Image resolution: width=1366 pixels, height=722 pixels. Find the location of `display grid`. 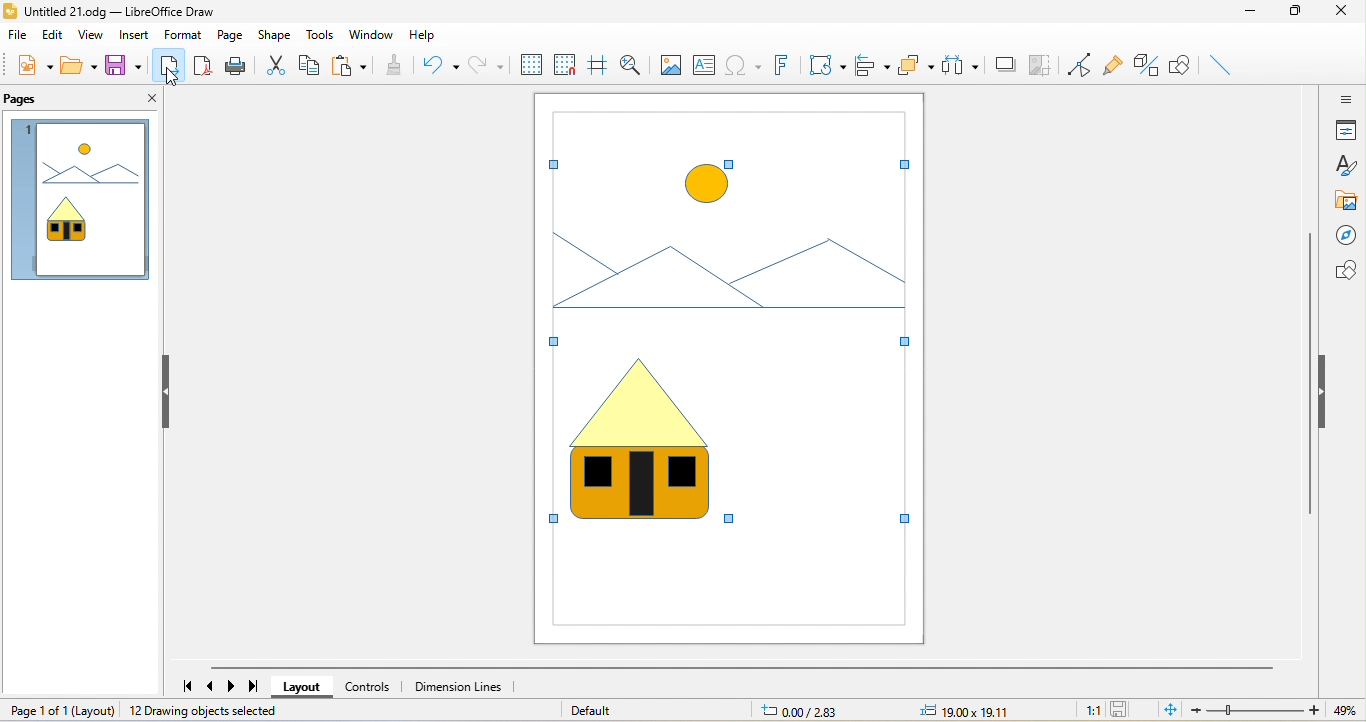

display grid is located at coordinates (529, 65).